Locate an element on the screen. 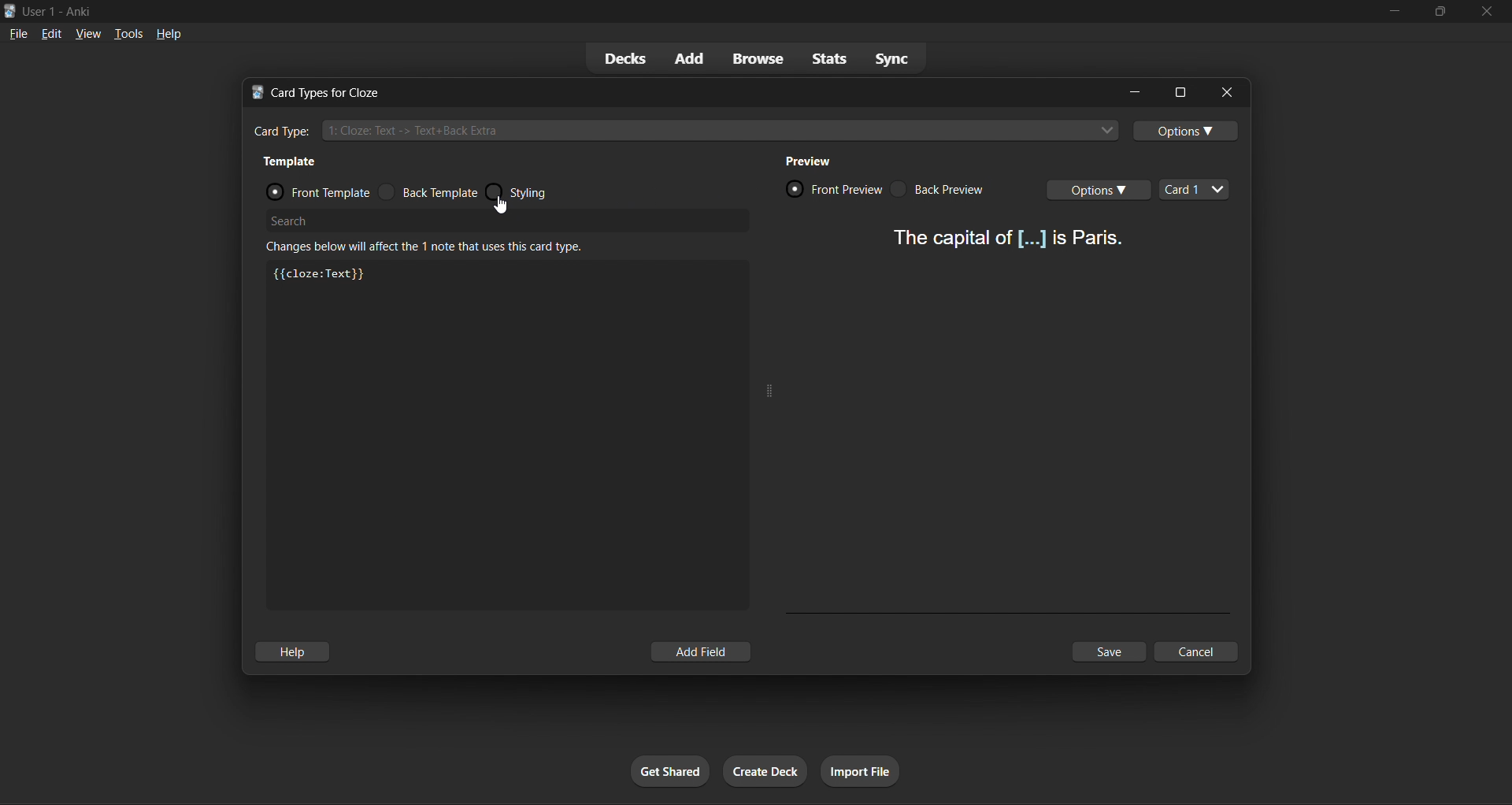  help is located at coordinates (173, 33).